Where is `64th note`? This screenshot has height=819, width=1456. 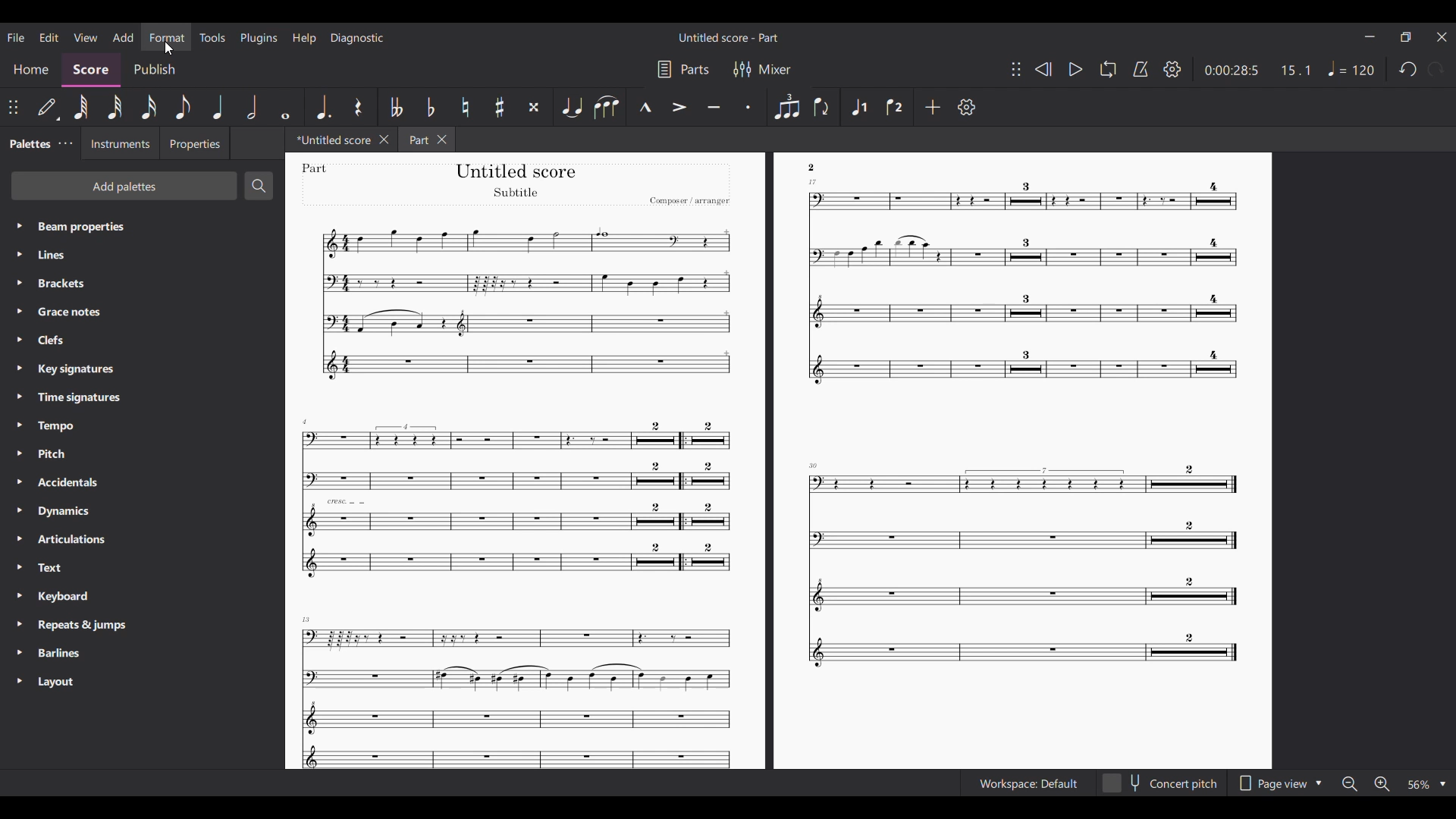 64th note is located at coordinates (81, 107).